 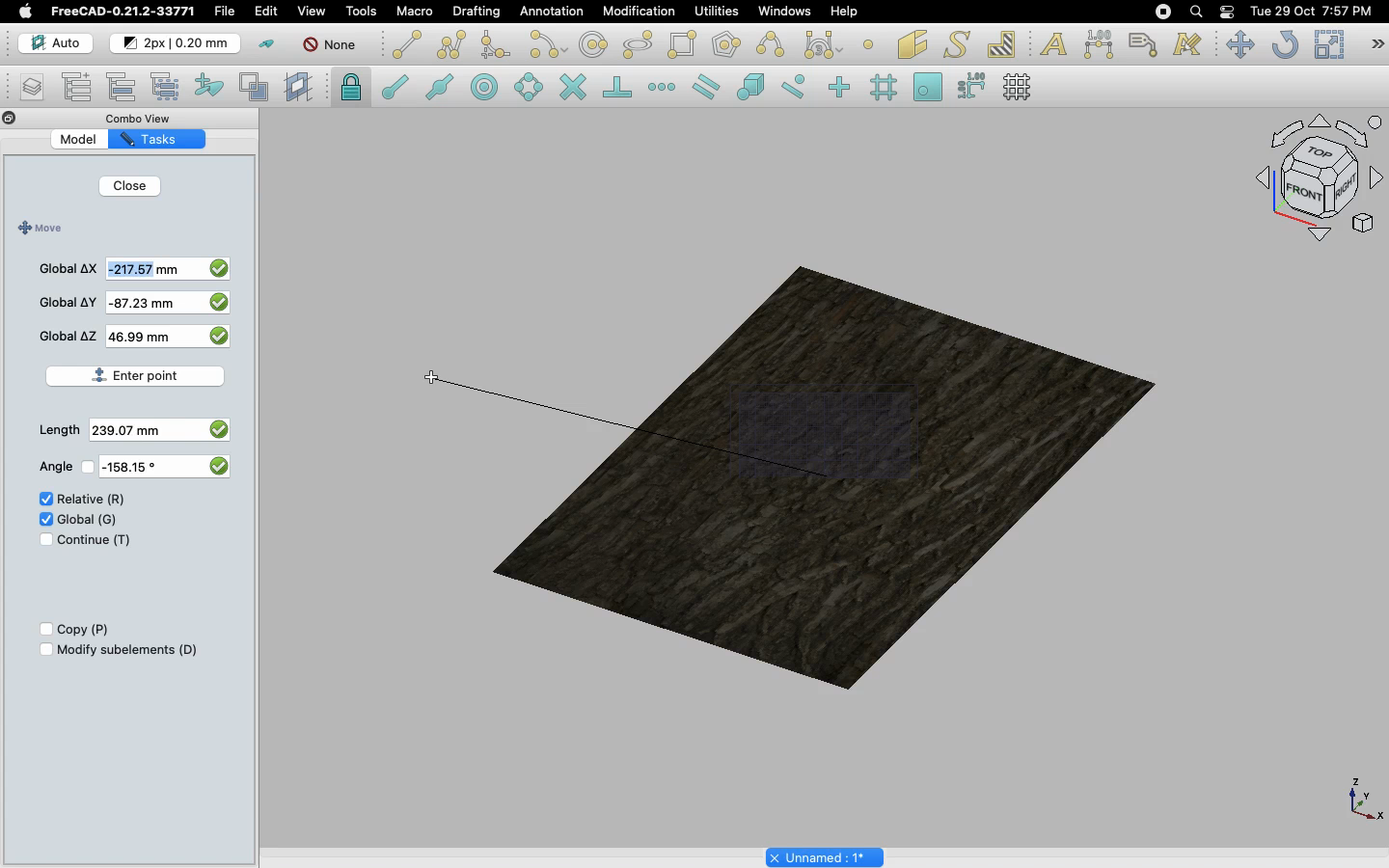 I want to click on Dimension, so click(x=1101, y=44).